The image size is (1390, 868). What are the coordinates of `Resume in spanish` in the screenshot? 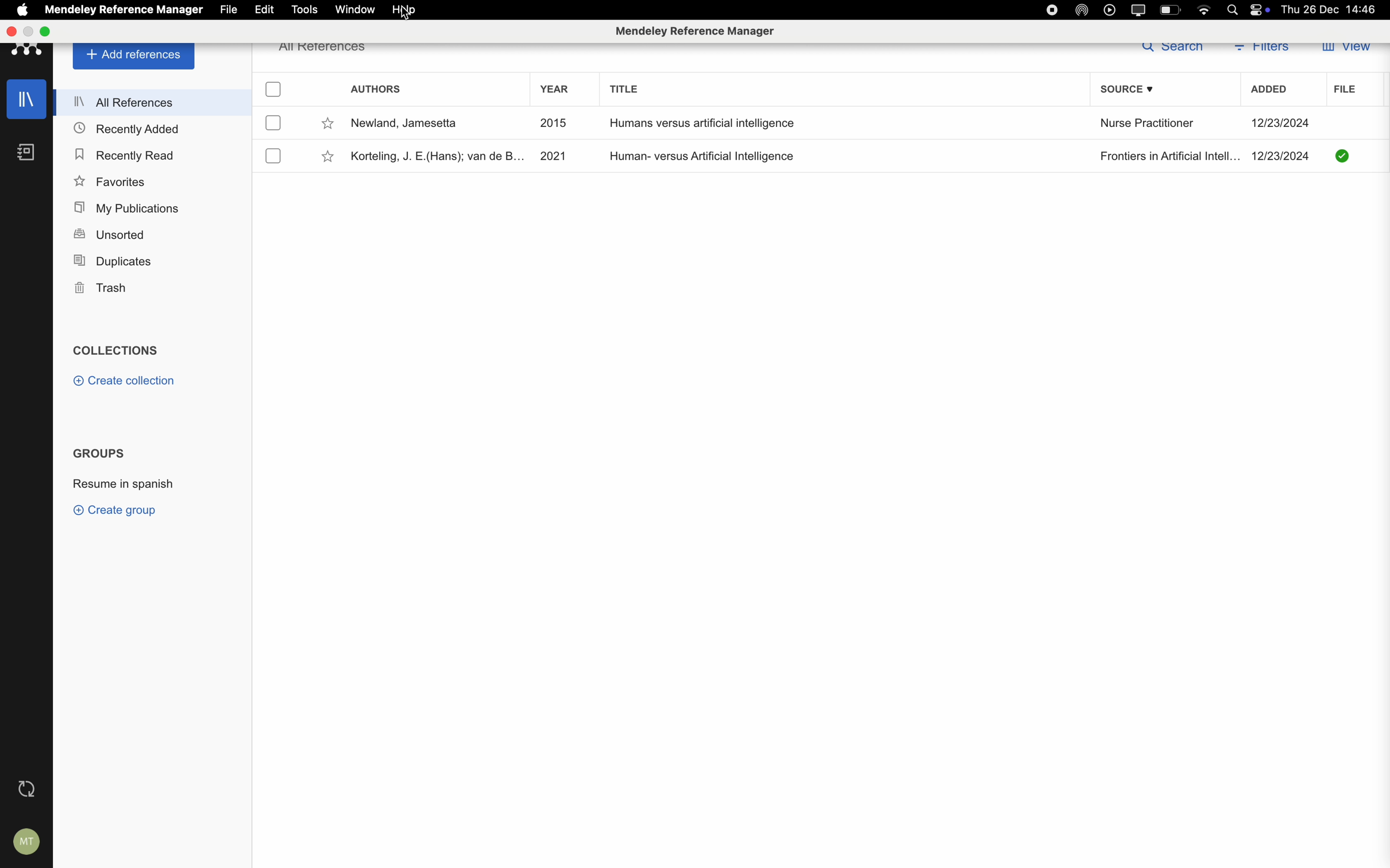 It's located at (123, 481).